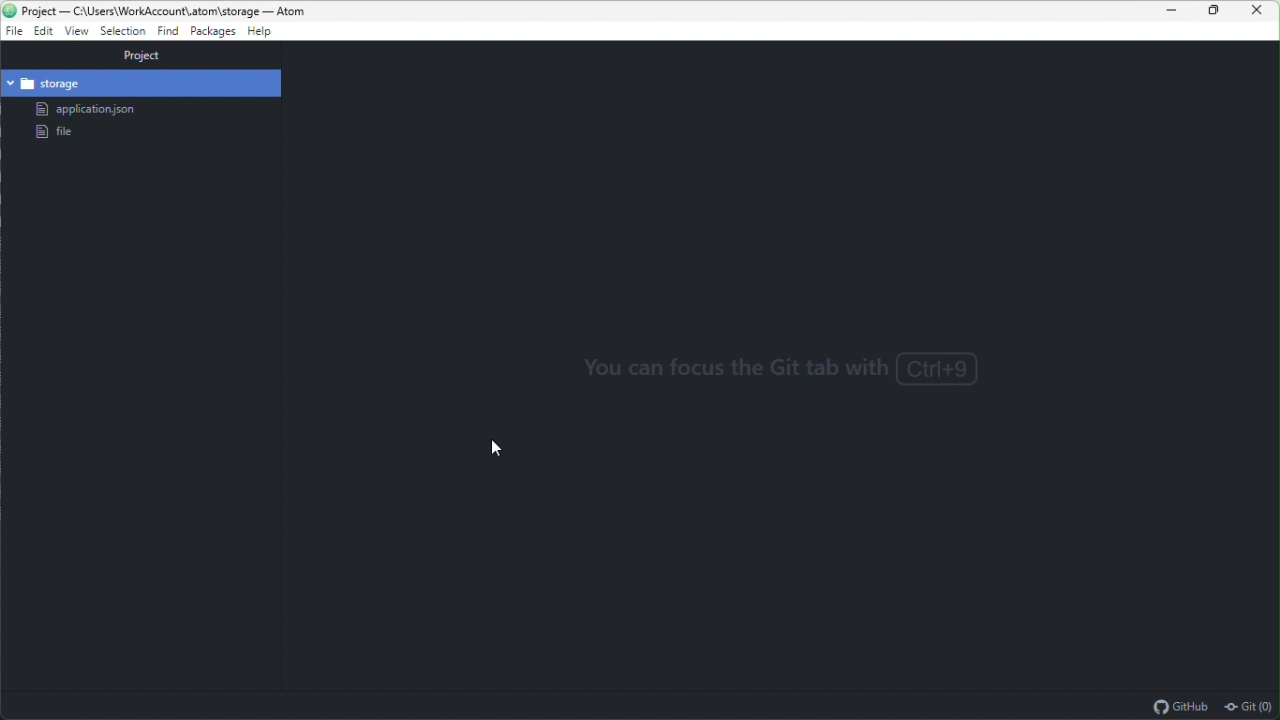  I want to click on view, so click(77, 32).